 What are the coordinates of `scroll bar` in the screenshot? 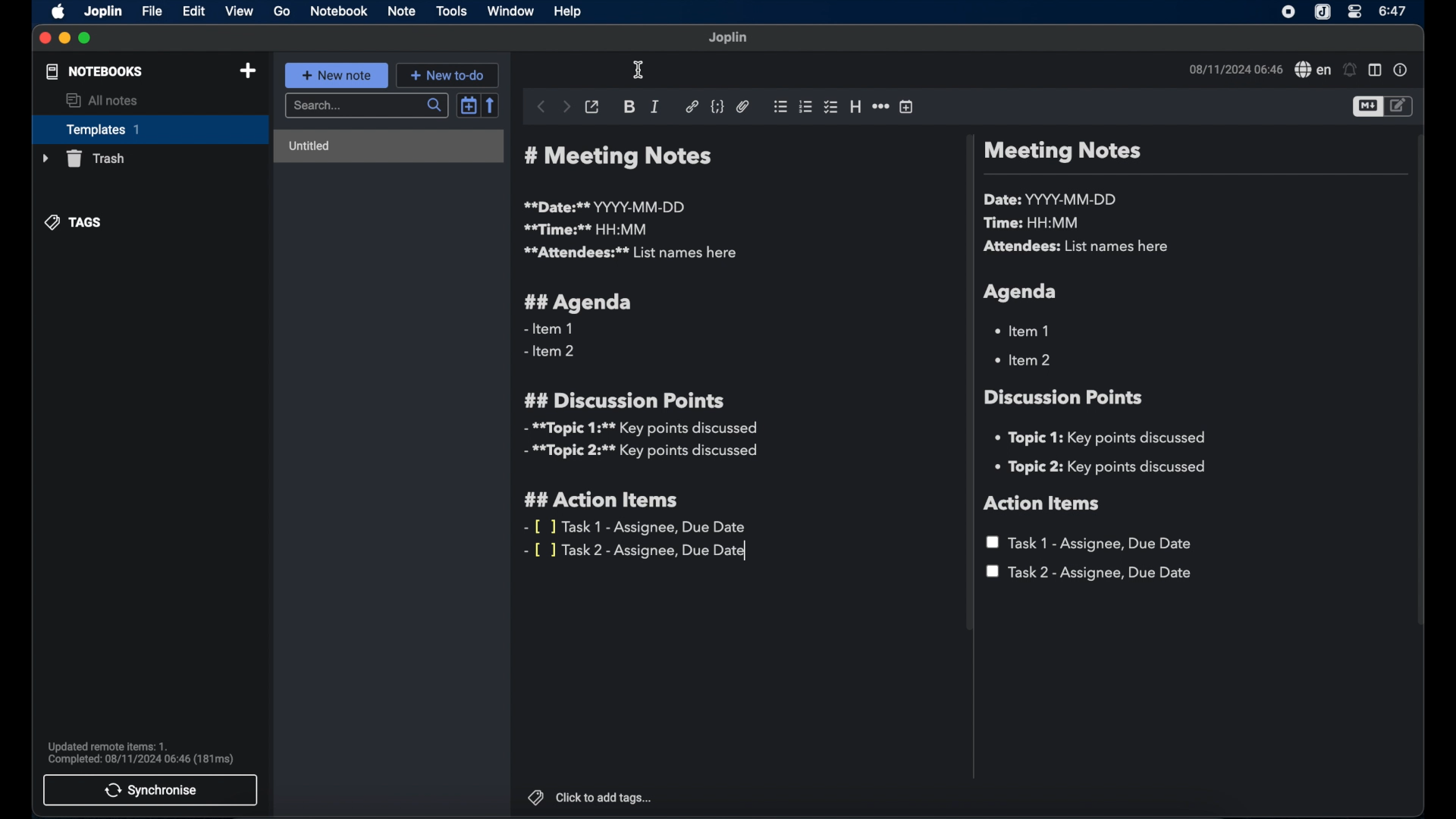 It's located at (966, 385).